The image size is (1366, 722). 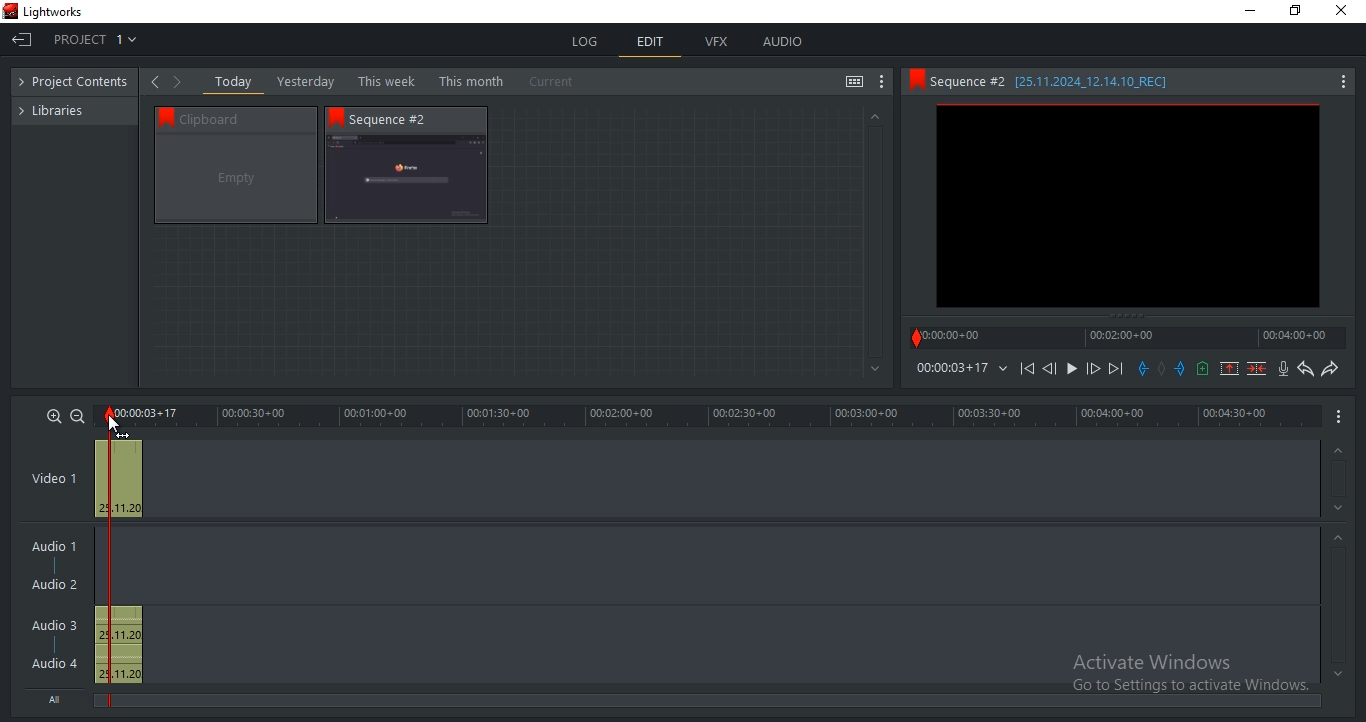 What do you see at coordinates (1229, 367) in the screenshot?
I see `remove marked section` at bounding box center [1229, 367].